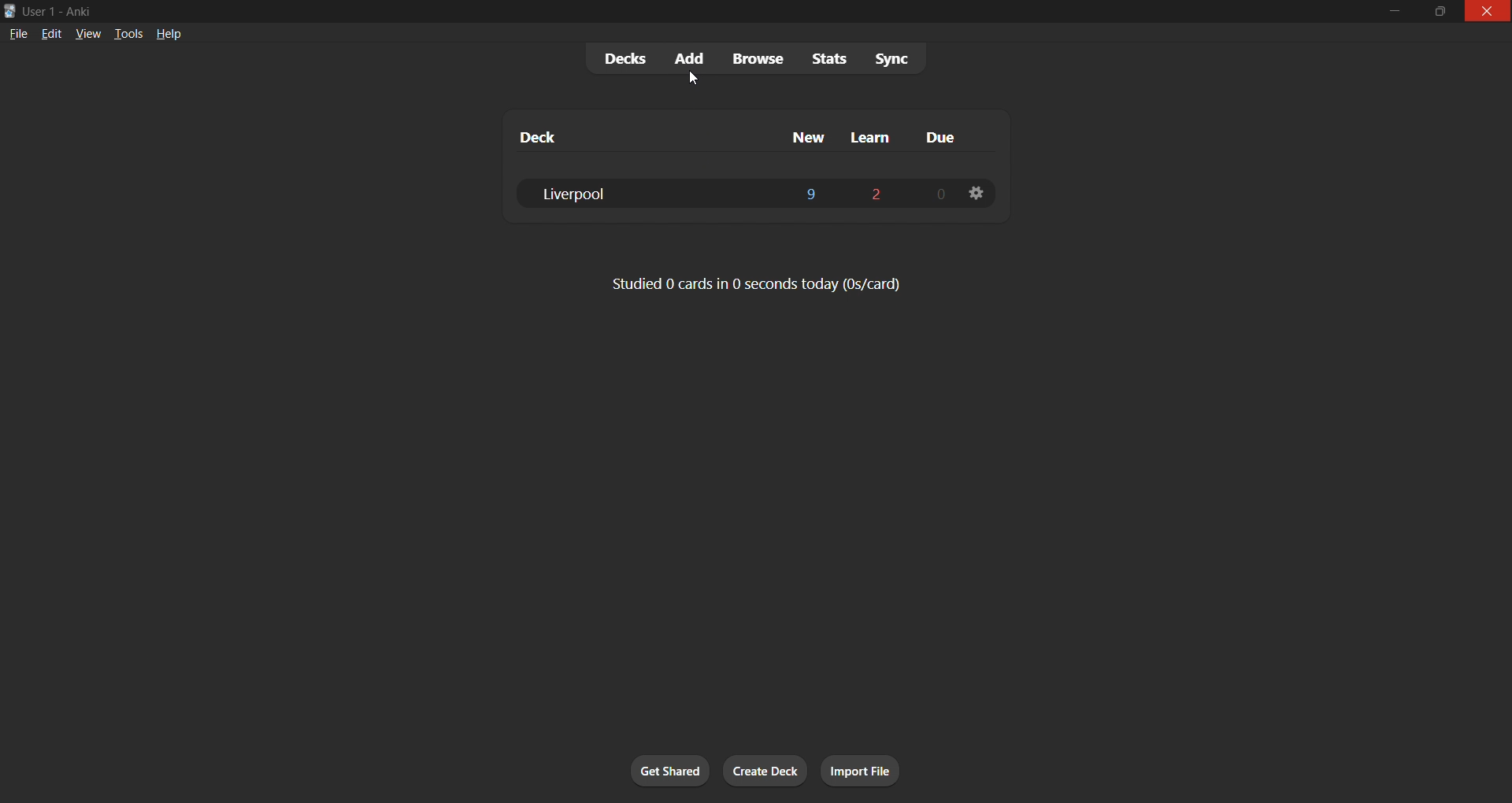 The image size is (1512, 803). I want to click on new column, so click(806, 138).